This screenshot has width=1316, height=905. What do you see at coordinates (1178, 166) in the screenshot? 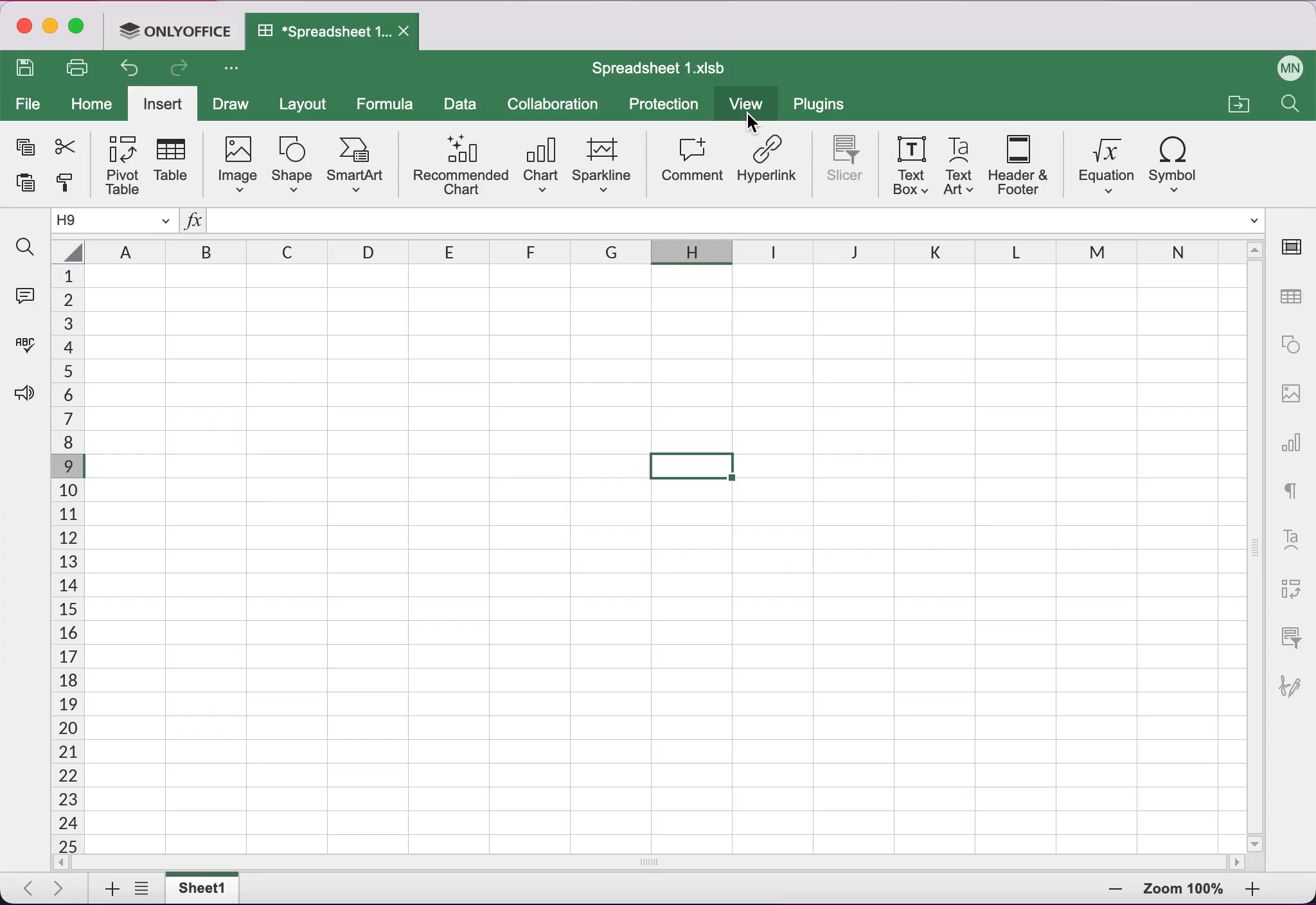
I see `symbol` at bounding box center [1178, 166].